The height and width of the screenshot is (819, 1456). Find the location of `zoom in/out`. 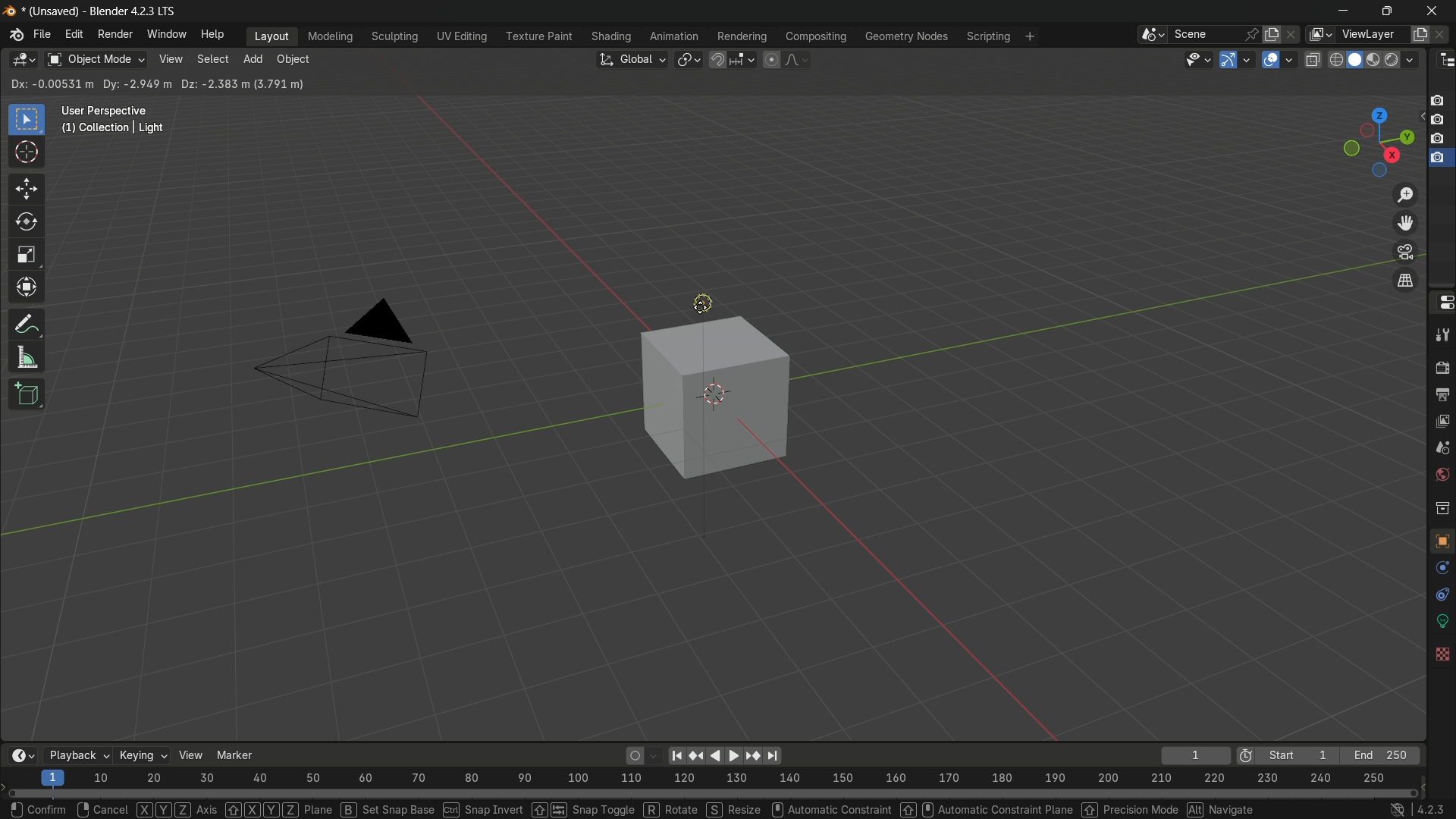

zoom in/out is located at coordinates (1405, 194).